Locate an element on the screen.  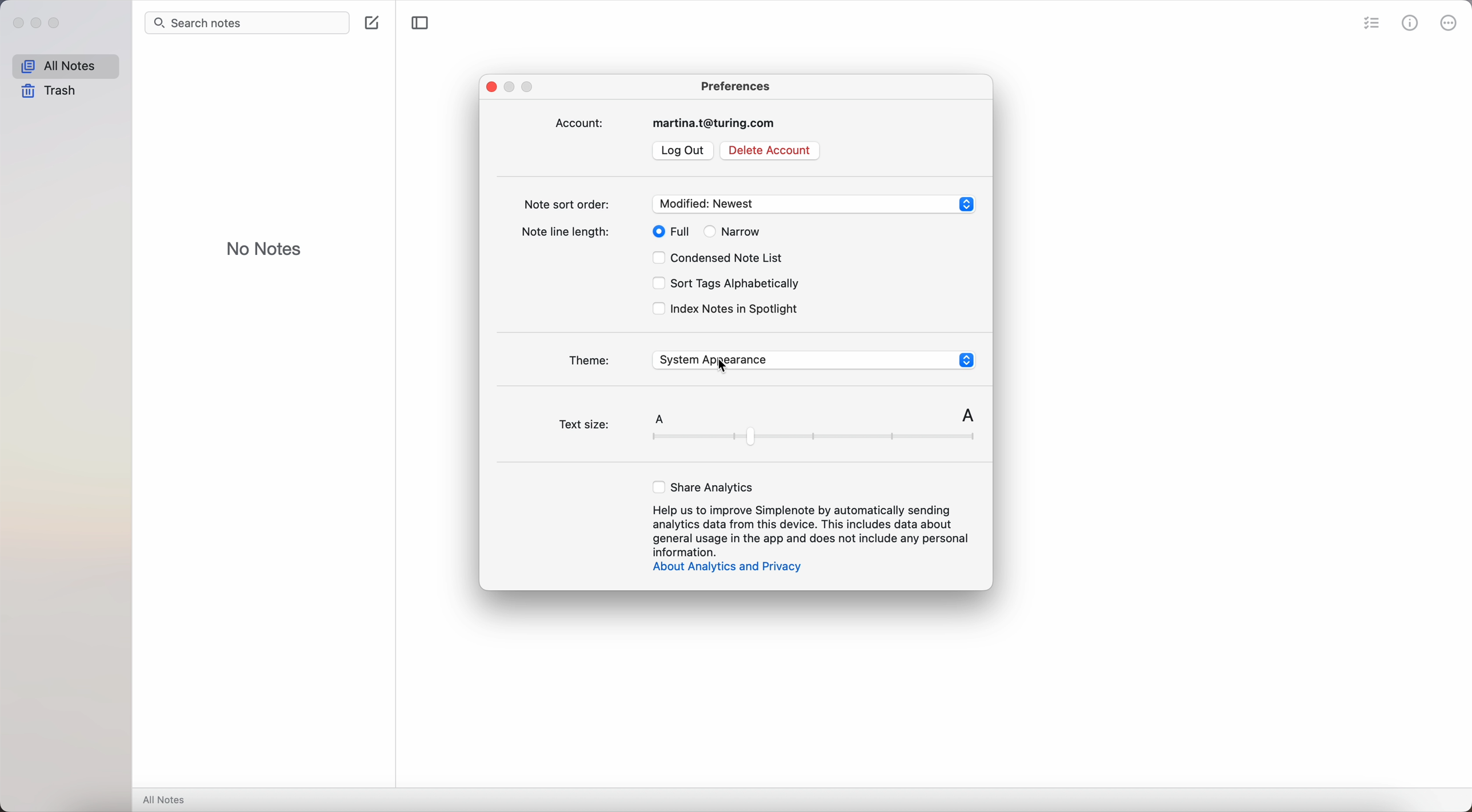
minimize Simplenote is located at coordinates (513, 86).